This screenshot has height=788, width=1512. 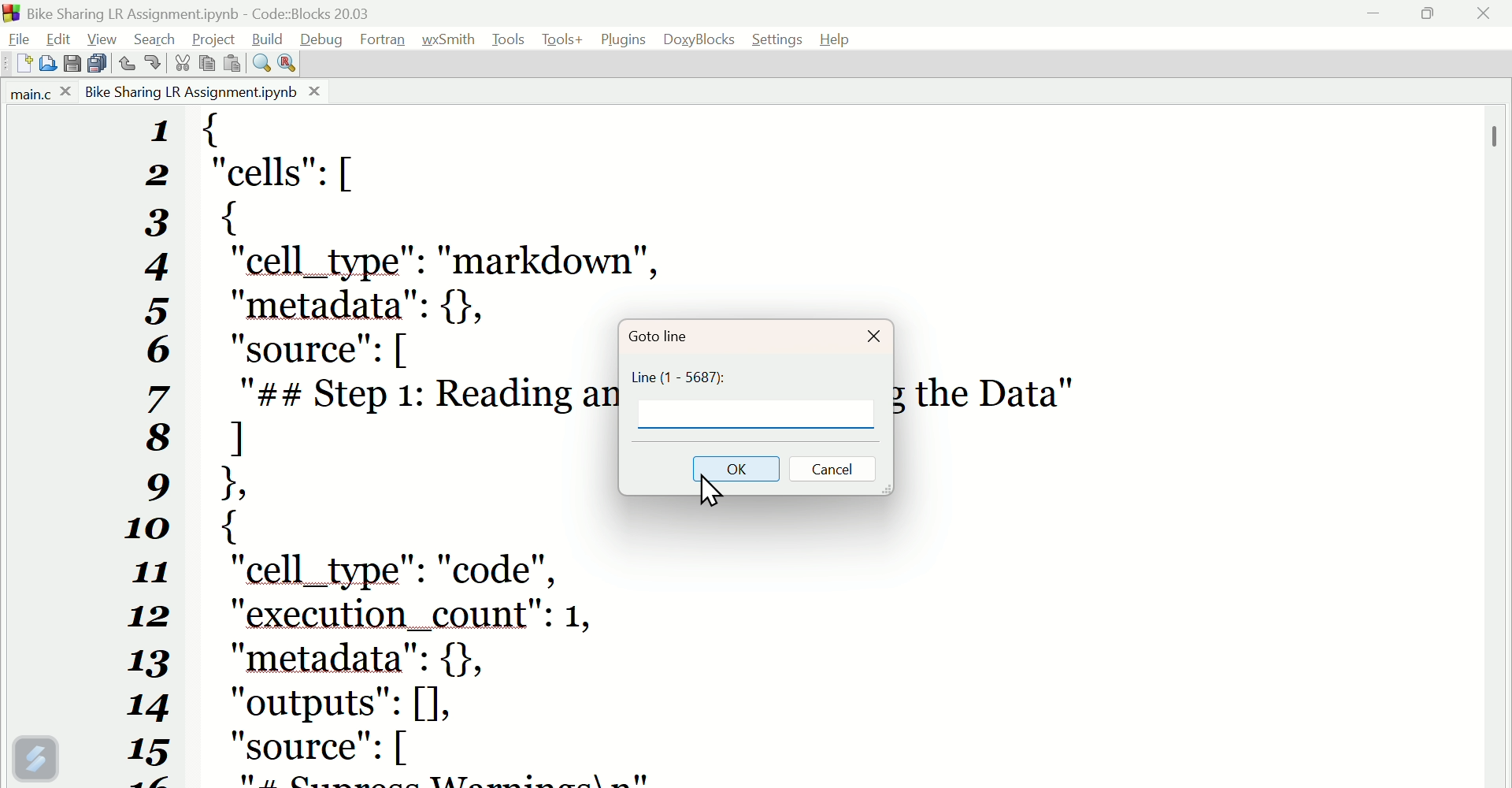 What do you see at coordinates (712, 491) in the screenshot?
I see `Cursor` at bounding box center [712, 491].